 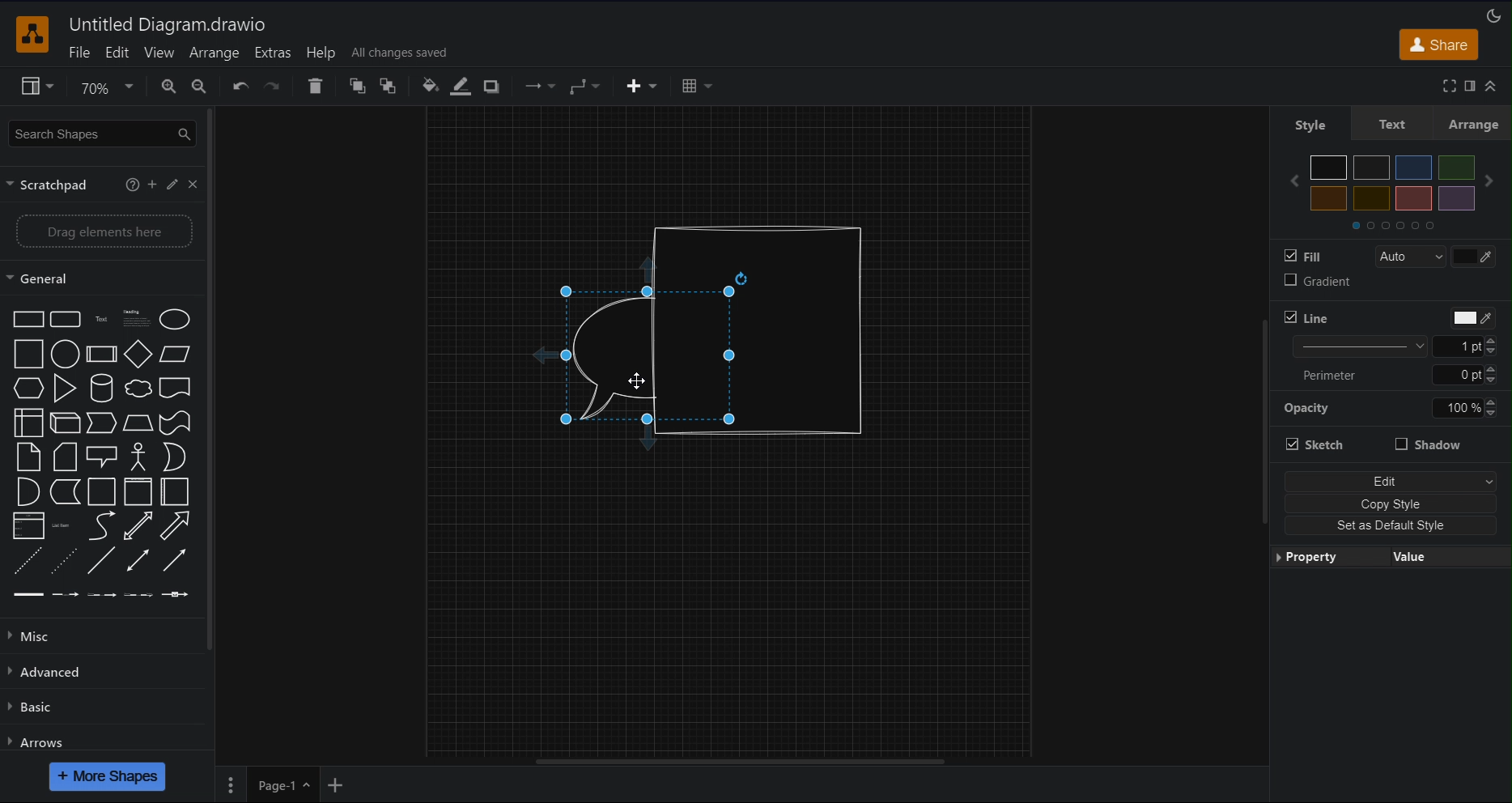 I want to click on Color picker, so click(x=1473, y=318).